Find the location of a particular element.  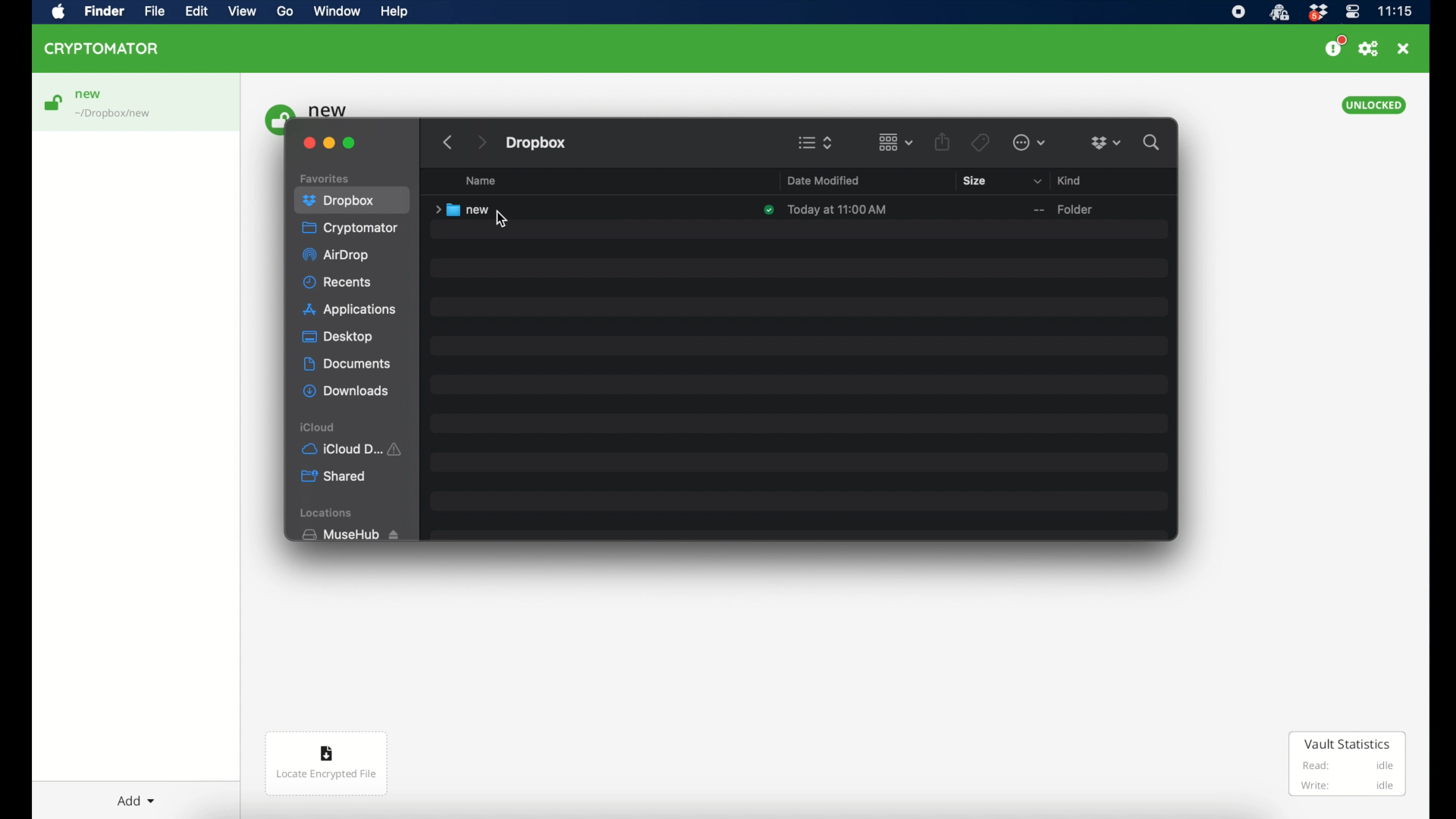

more options is located at coordinates (1029, 143).